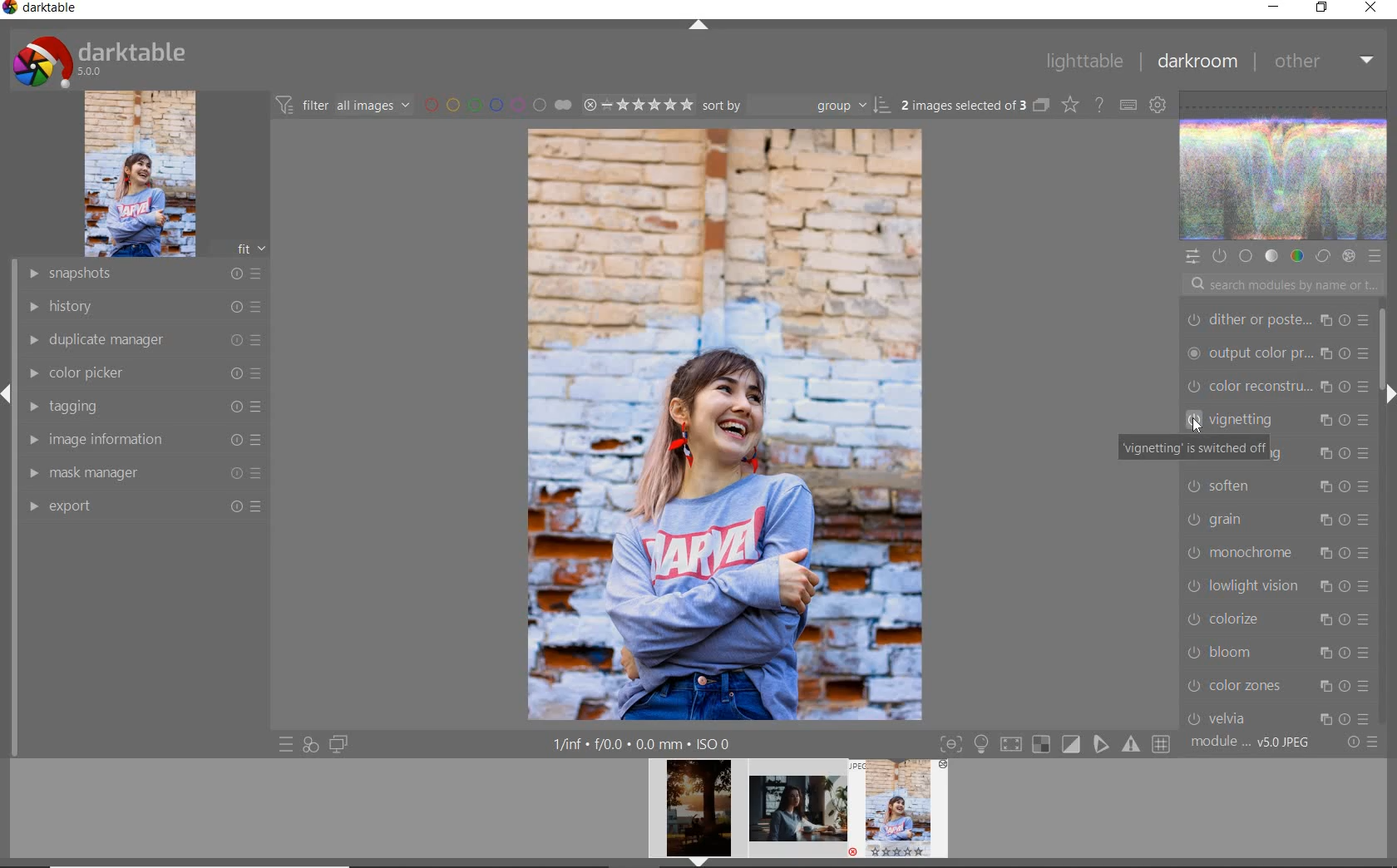  I want to click on SORT, so click(797, 104).